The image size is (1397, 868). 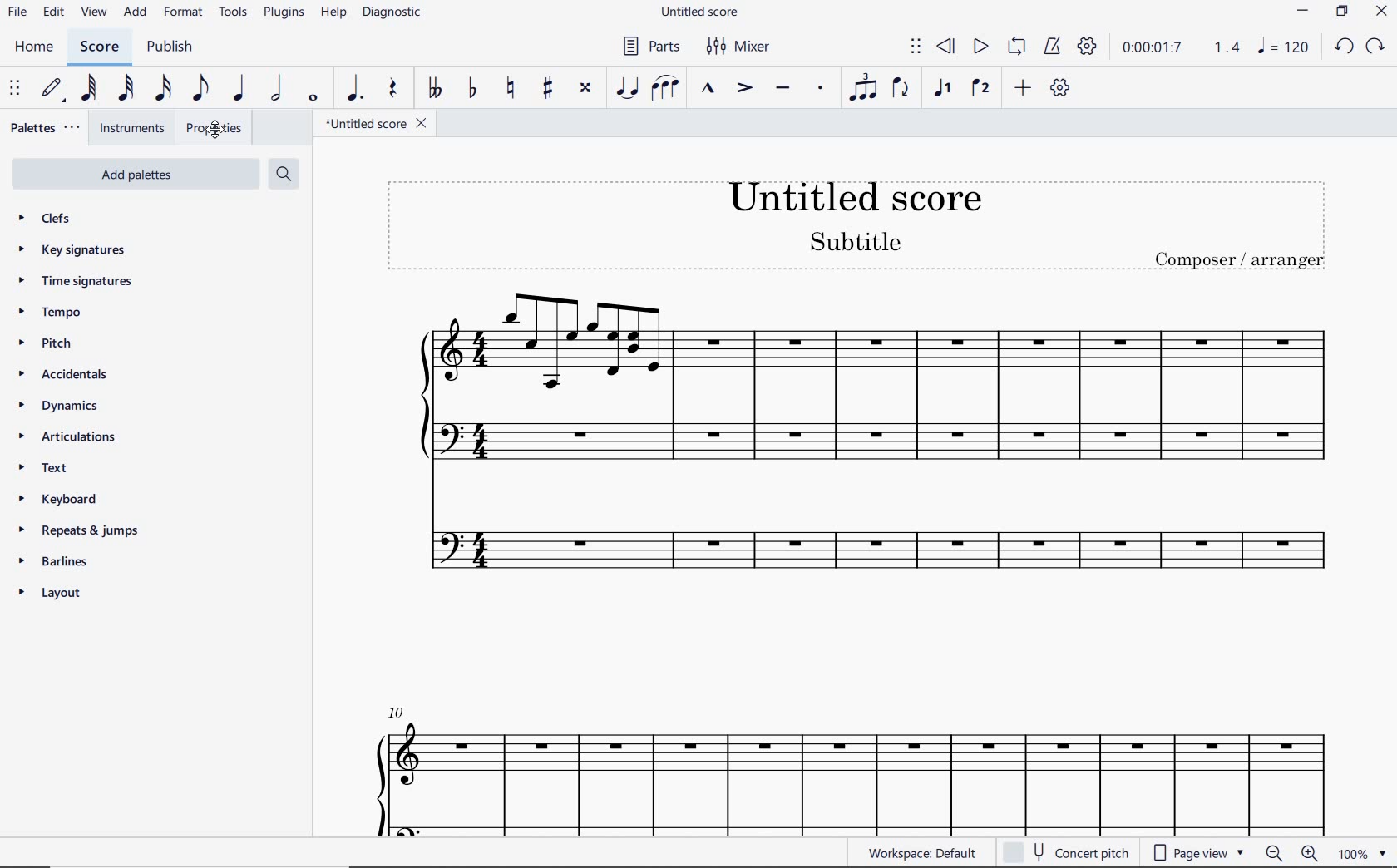 I want to click on TOGGLE DOUBLE-FLAT, so click(x=435, y=87).